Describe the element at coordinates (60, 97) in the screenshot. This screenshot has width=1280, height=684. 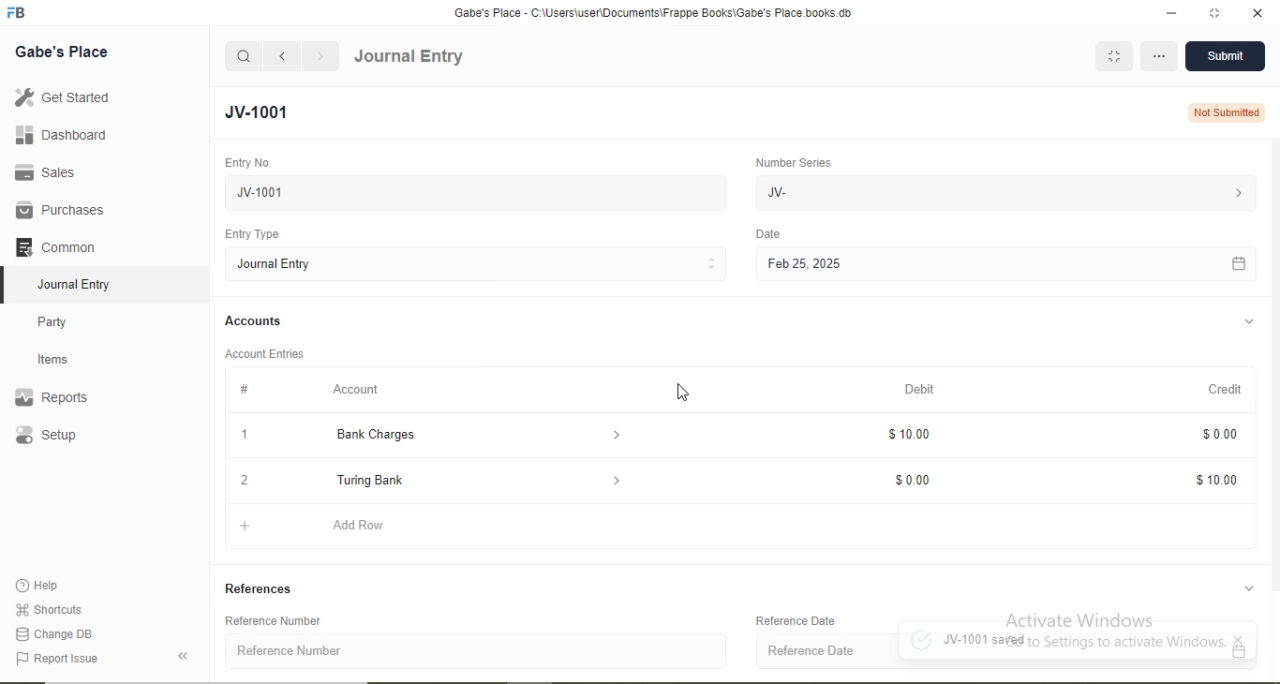
I see `Get Started` at that location.